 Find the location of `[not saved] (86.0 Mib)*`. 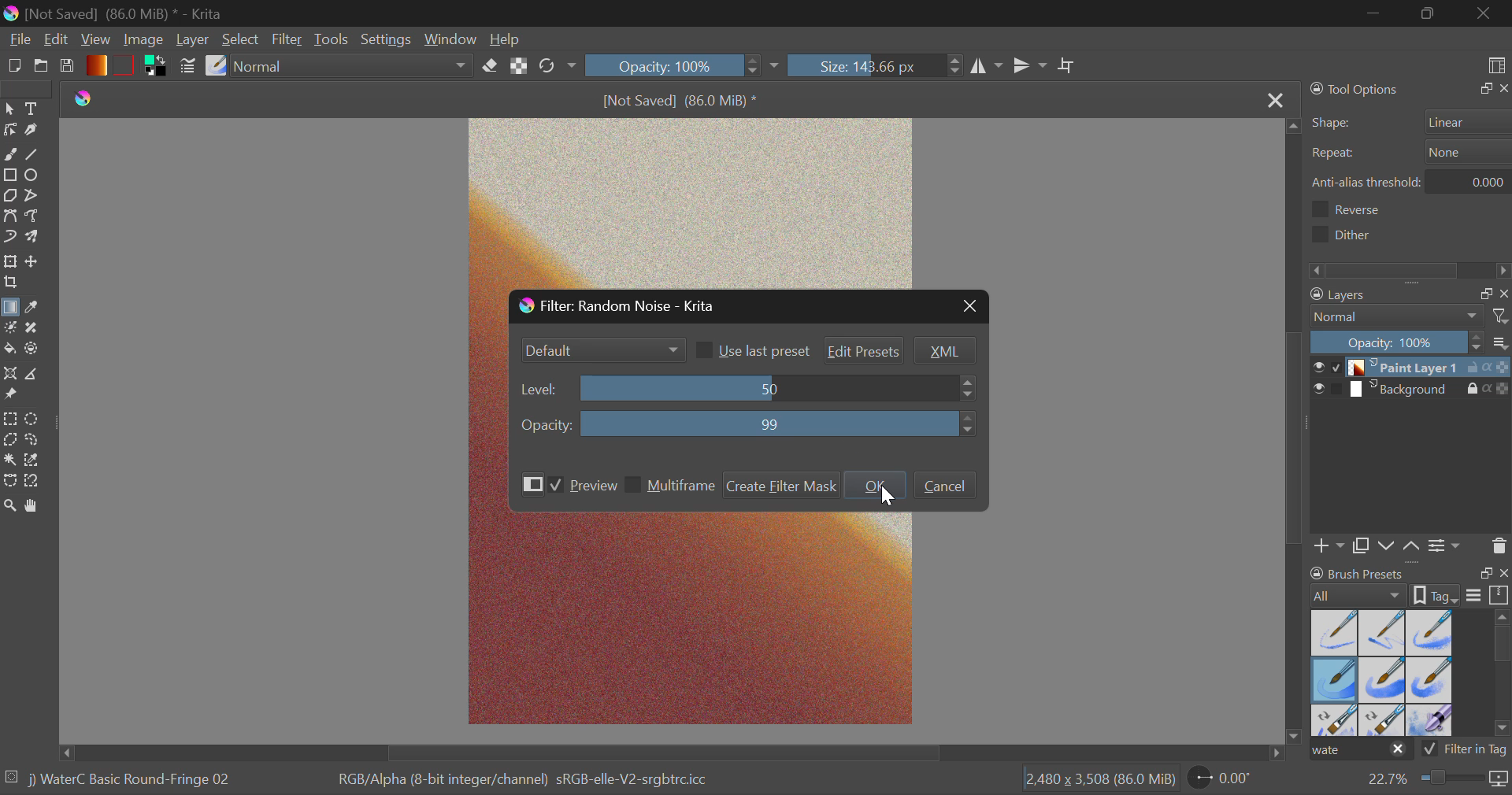

[not saved] (86.0 Mib)* is located at coordinates (682, 99).